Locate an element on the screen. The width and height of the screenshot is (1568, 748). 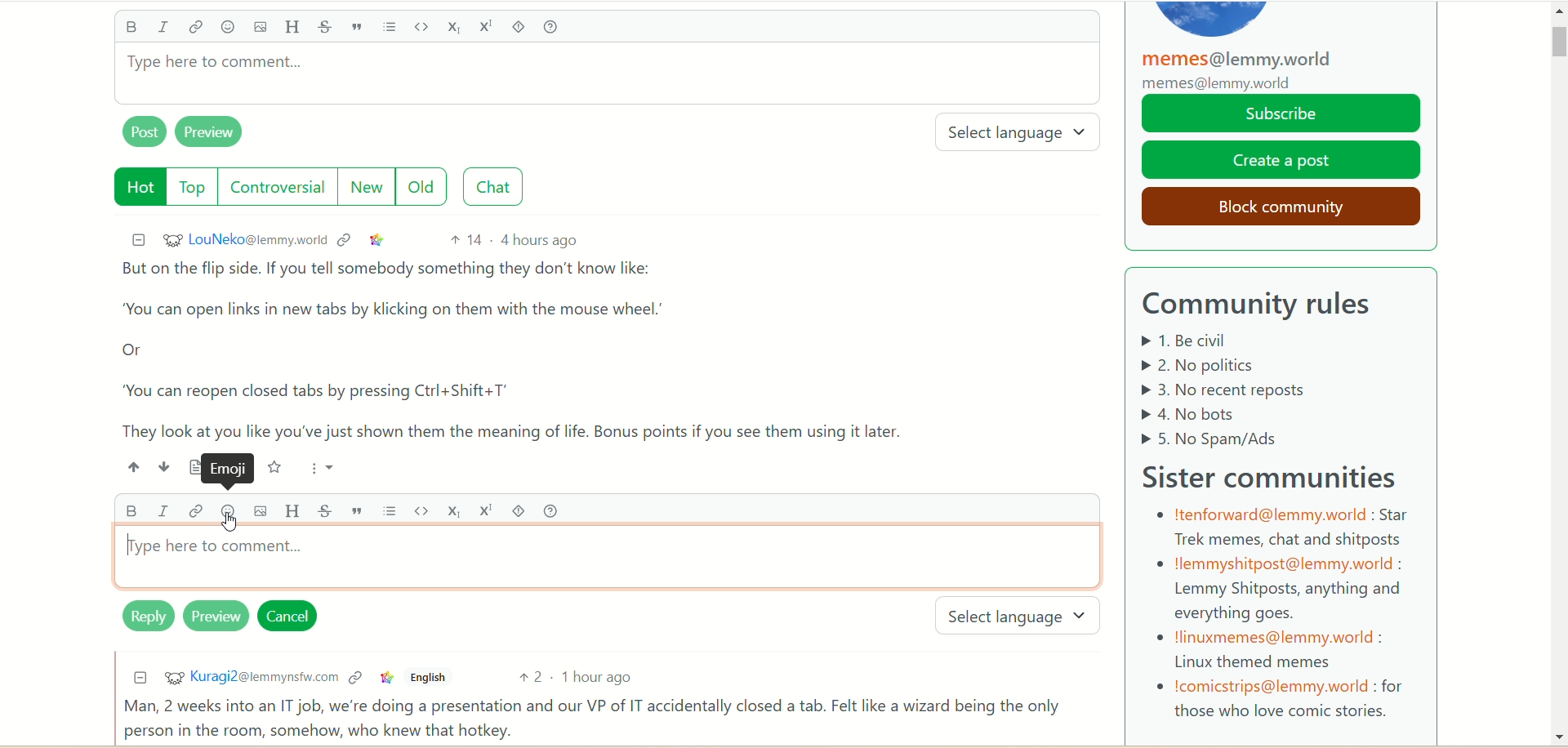
create a post is located at coordinates (1282, 160).